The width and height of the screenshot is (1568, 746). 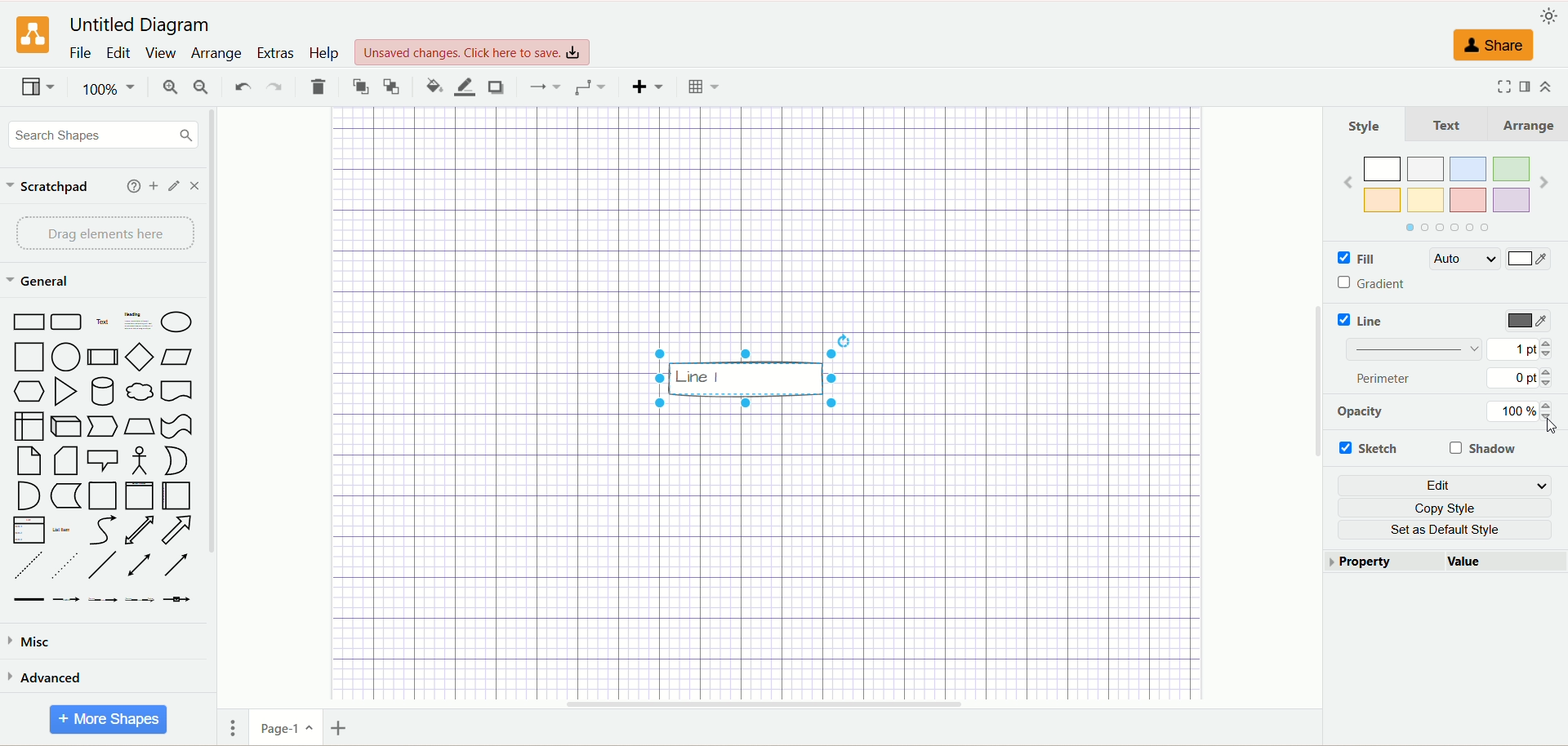 What do you see at coordinates (102, 531) in the screenshot?
I see `Curve` at bounding box center [102, 531].